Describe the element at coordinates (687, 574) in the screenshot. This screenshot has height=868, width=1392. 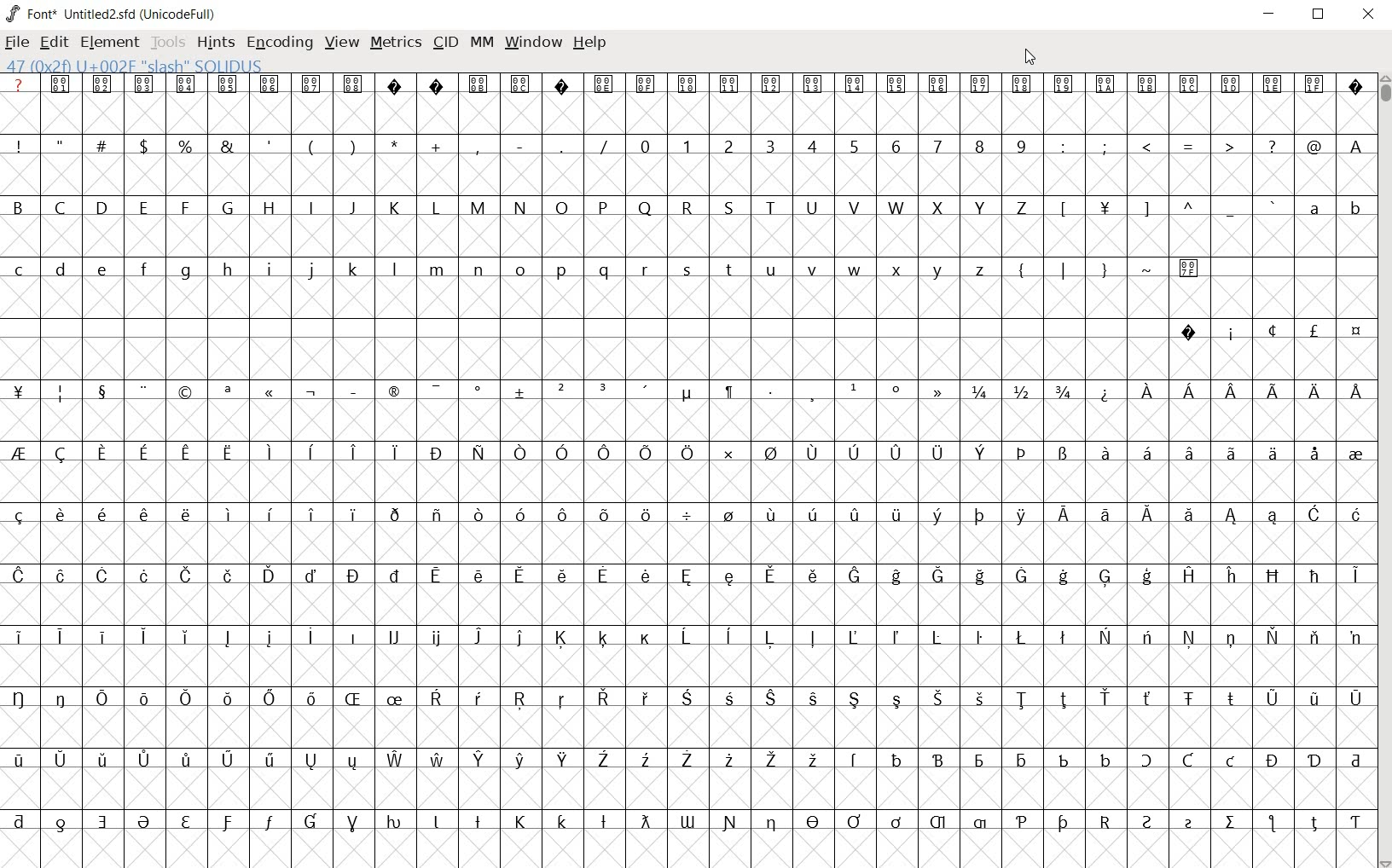
I see `special letters` at that location.